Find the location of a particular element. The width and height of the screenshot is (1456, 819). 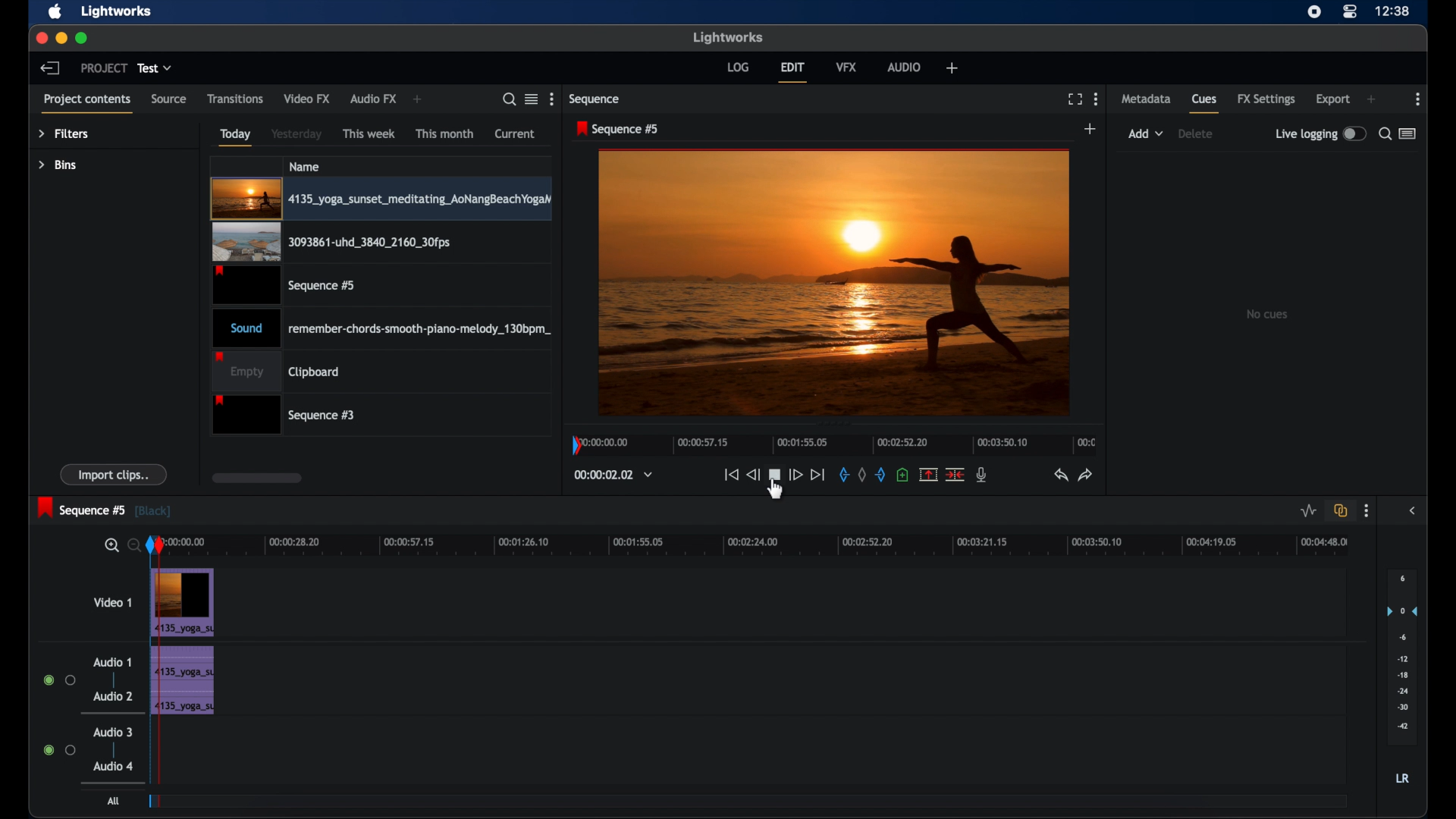

side bar is located at coordinates (1414, 510).